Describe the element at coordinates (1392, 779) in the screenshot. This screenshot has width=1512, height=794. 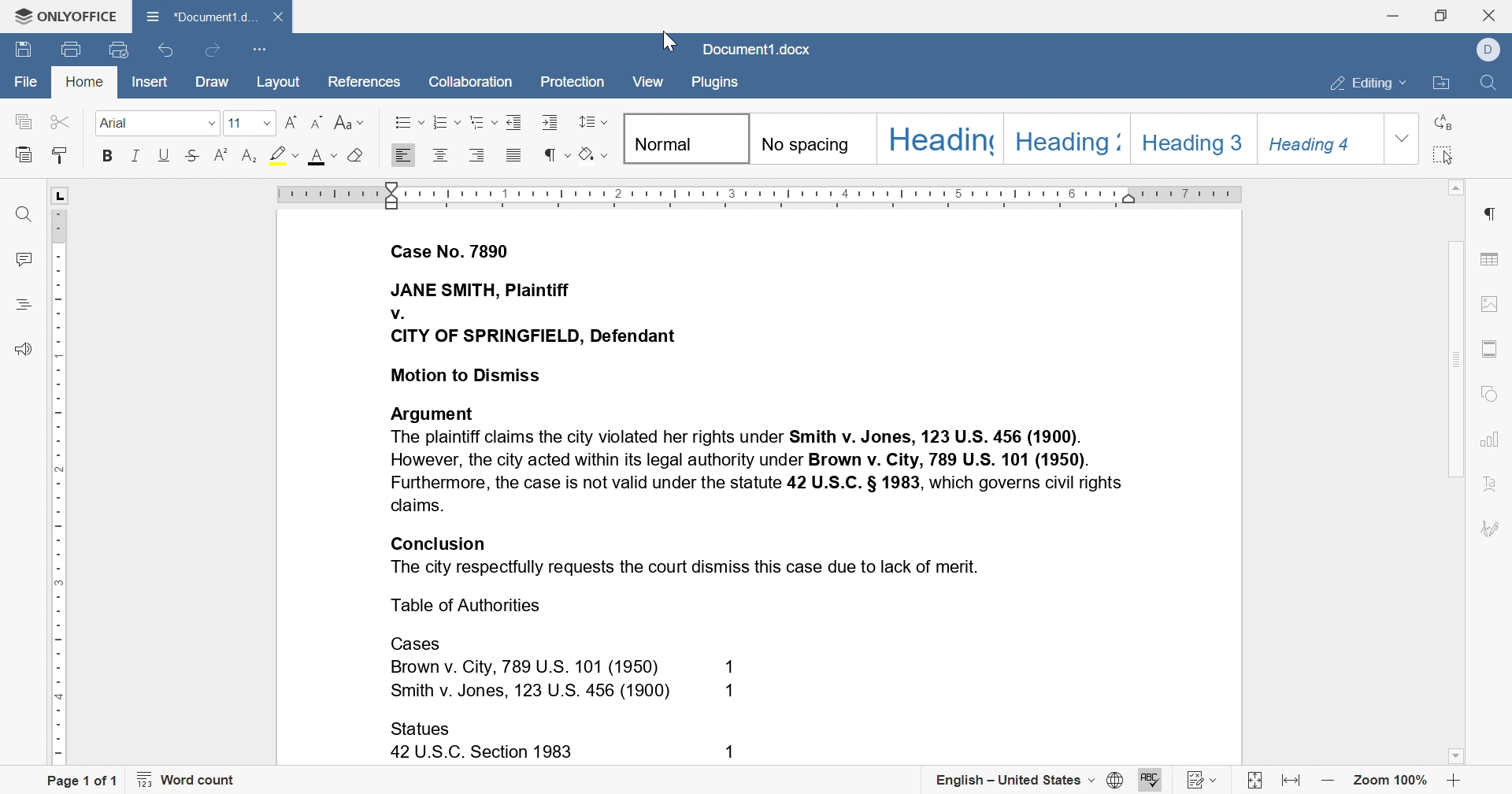
I see `zoom 100%` at that location.